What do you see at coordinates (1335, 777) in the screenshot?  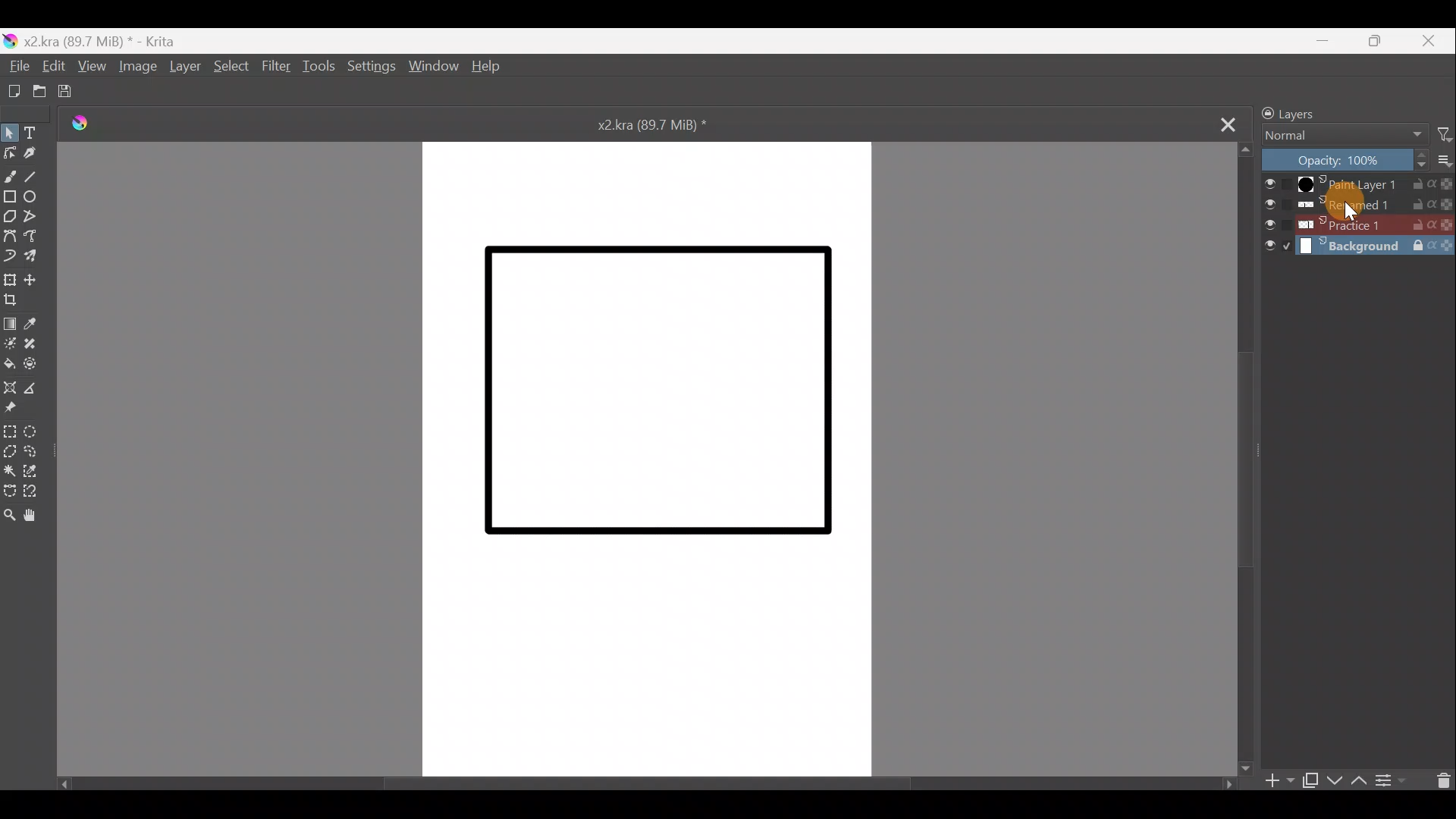 I see `Move layer/mask down` at bounding box center [1335, 777].